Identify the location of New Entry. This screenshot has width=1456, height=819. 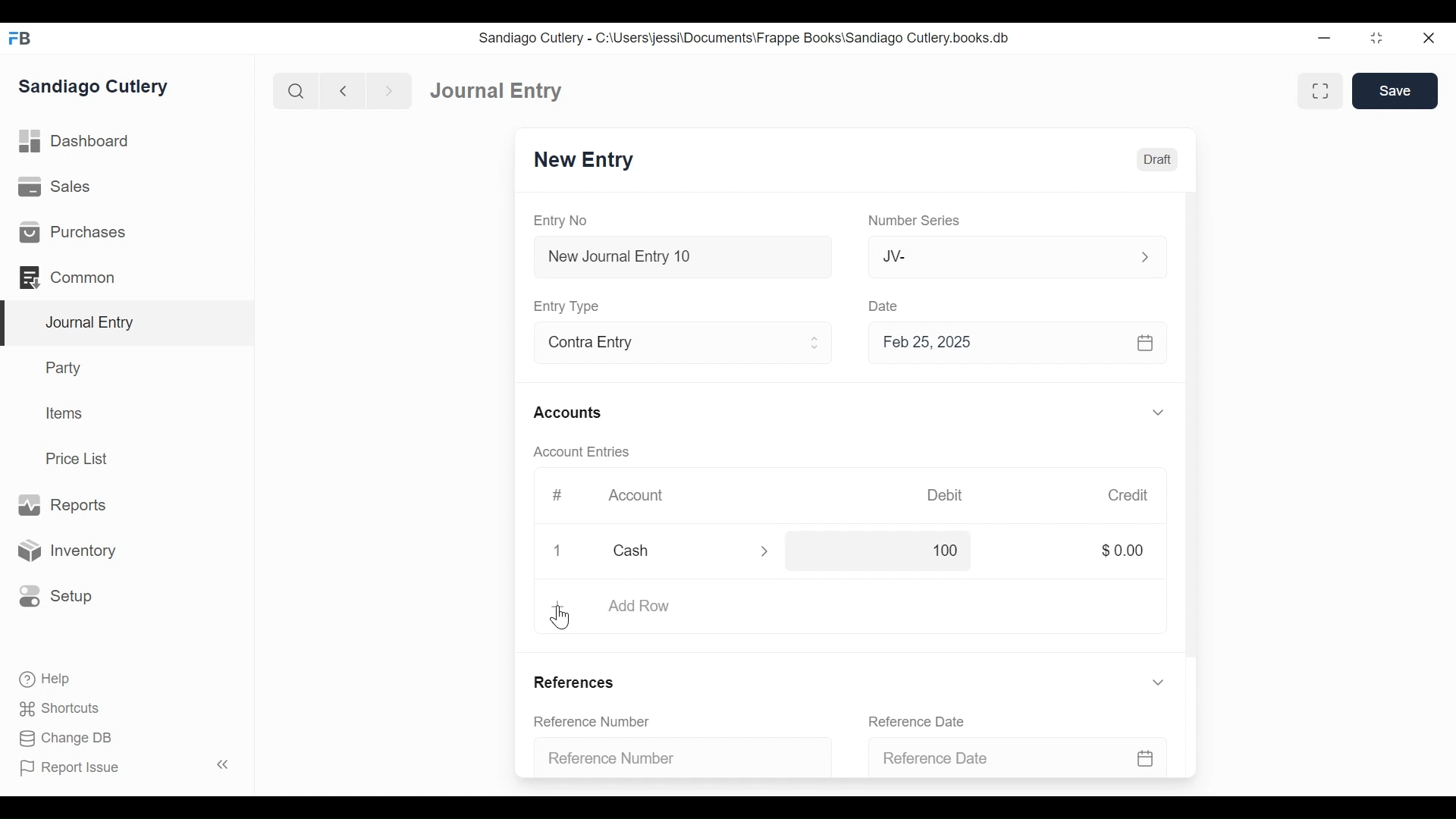
(588, 162).